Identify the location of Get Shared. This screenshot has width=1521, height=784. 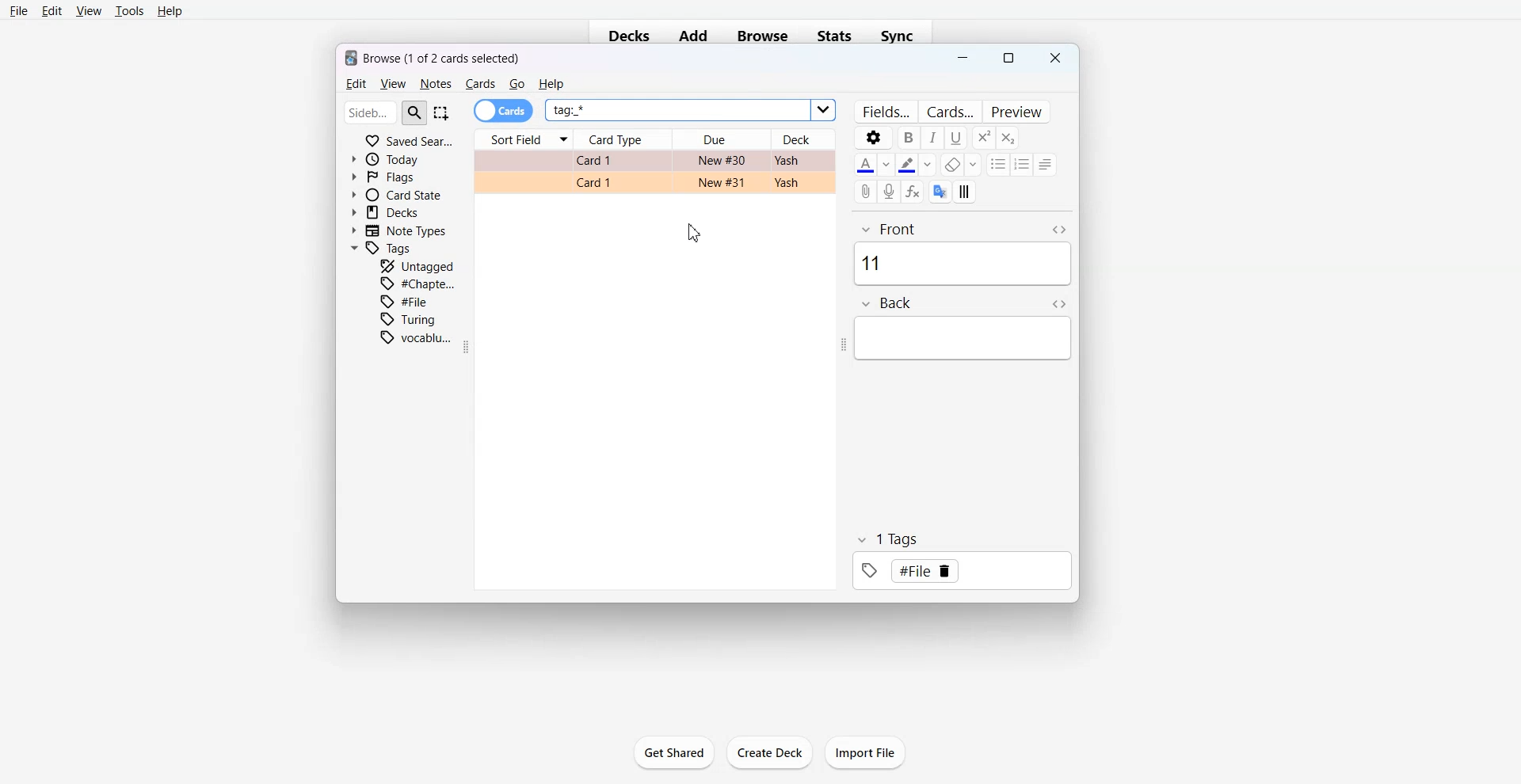
(673, 752).